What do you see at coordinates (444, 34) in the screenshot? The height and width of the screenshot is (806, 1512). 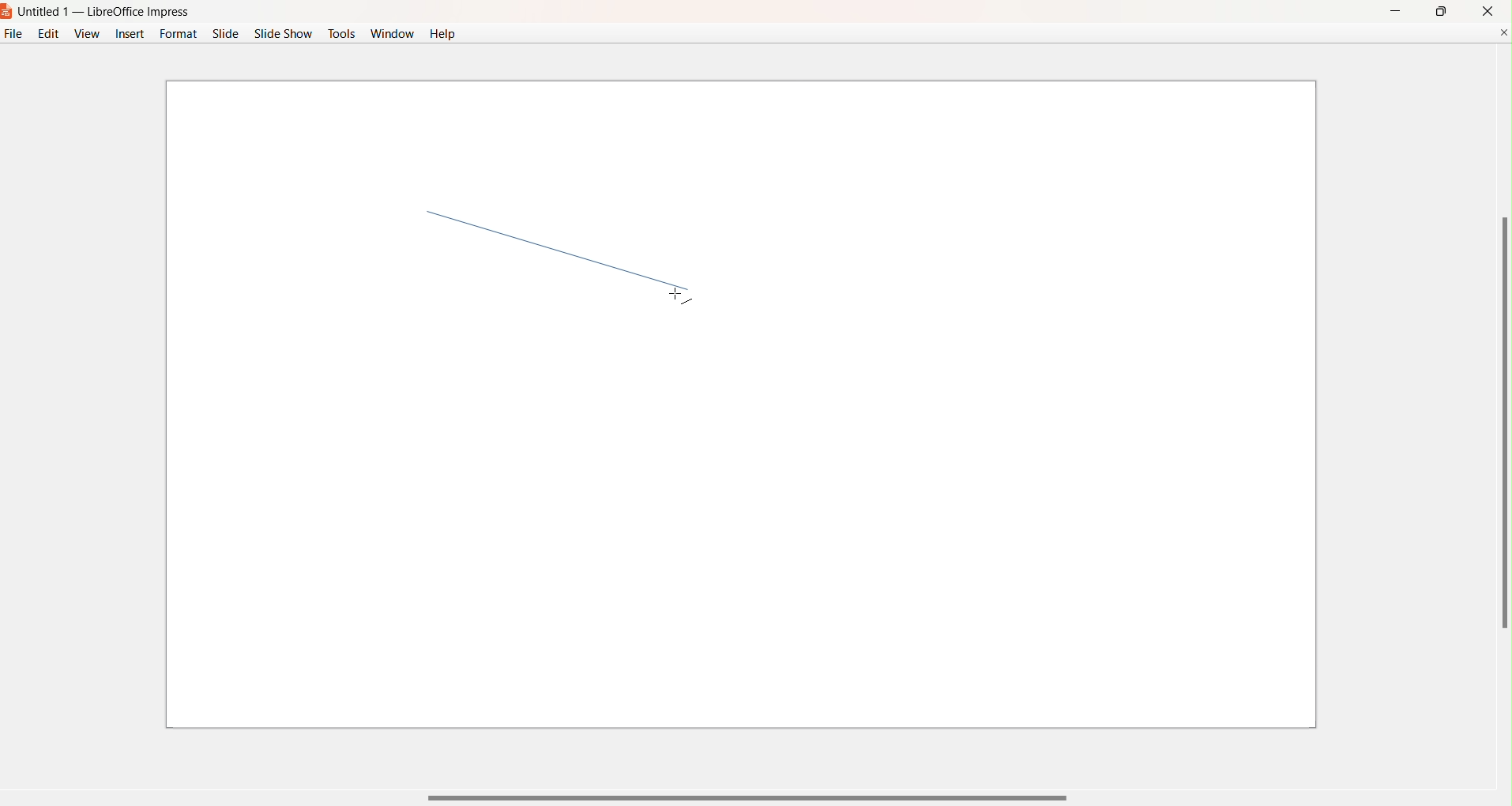 I see `Help` at bounding box center [444, 34].